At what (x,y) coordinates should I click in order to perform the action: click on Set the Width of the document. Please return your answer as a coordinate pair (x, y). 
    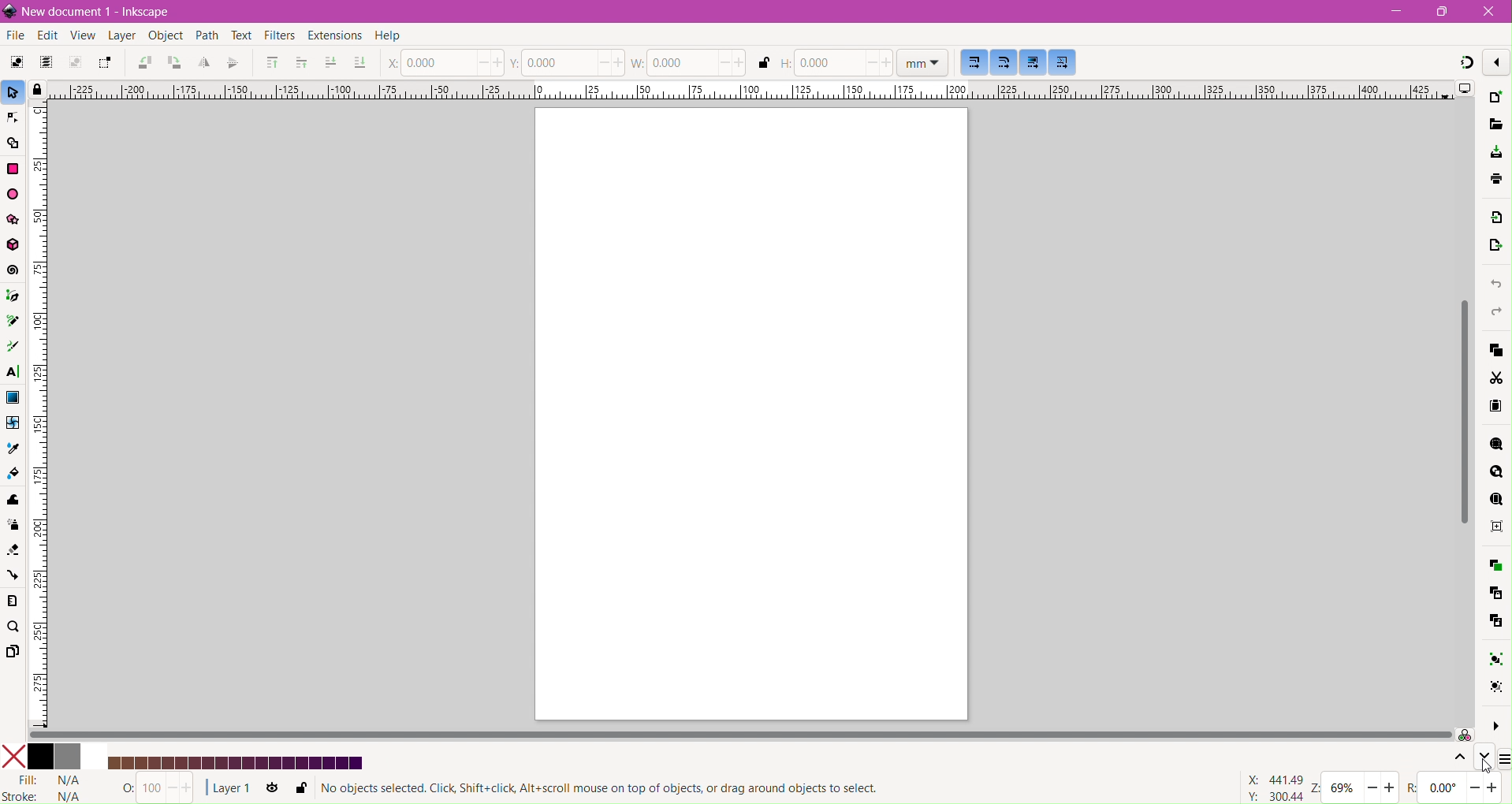
    Looking at the image, I should click on (690, 62).